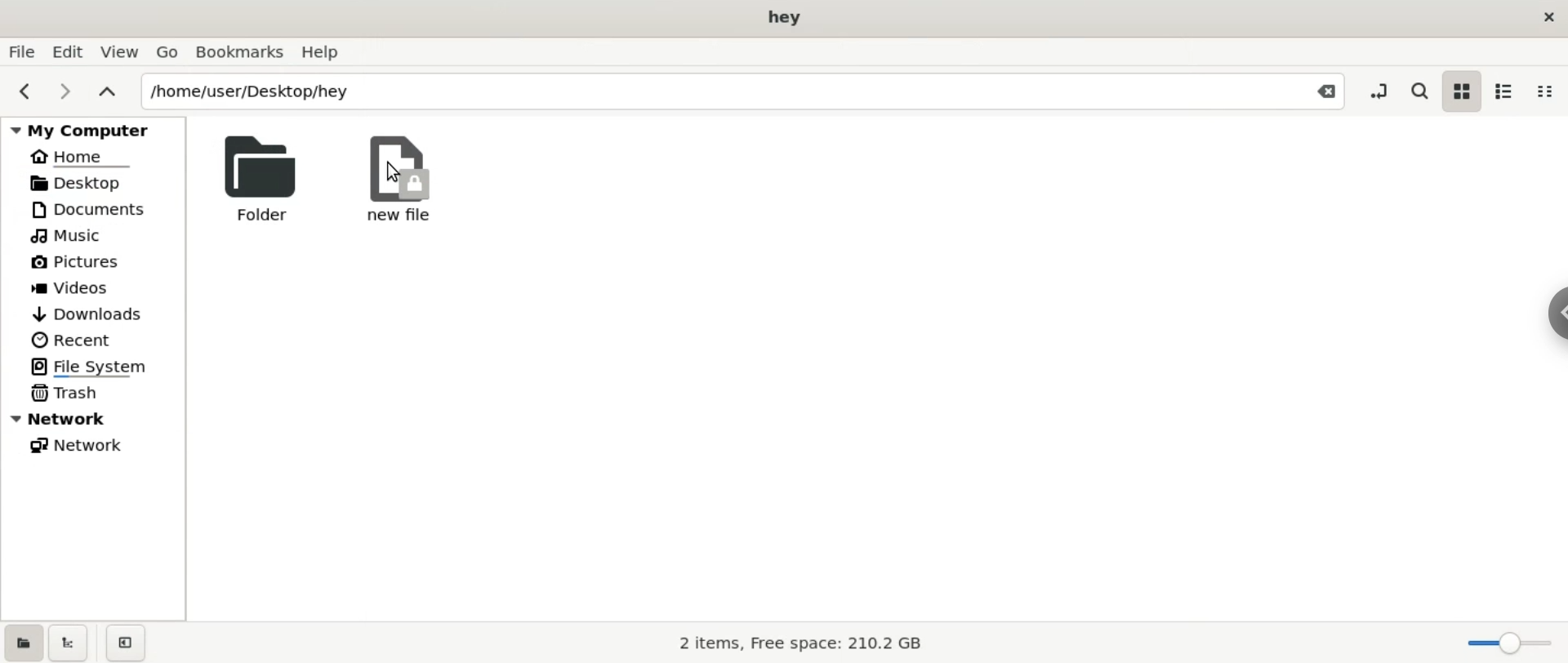 The height and width of the screenshot is (663, 1568). What do you see at coordinates (785, 18) in the screenshot?
I see `hey` at bounding box center [785, 18].